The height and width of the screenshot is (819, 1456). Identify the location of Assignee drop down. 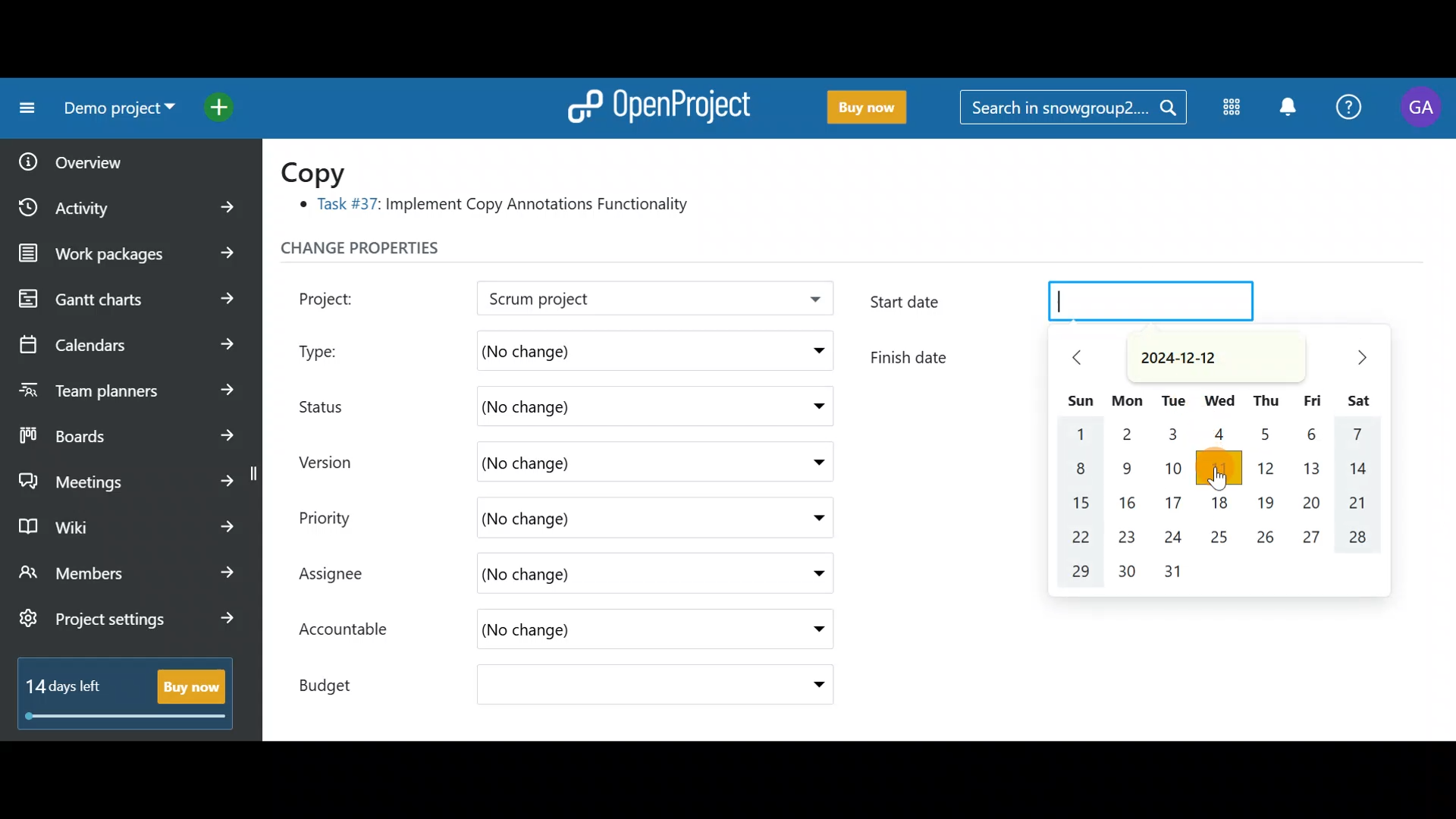
(806, 574).